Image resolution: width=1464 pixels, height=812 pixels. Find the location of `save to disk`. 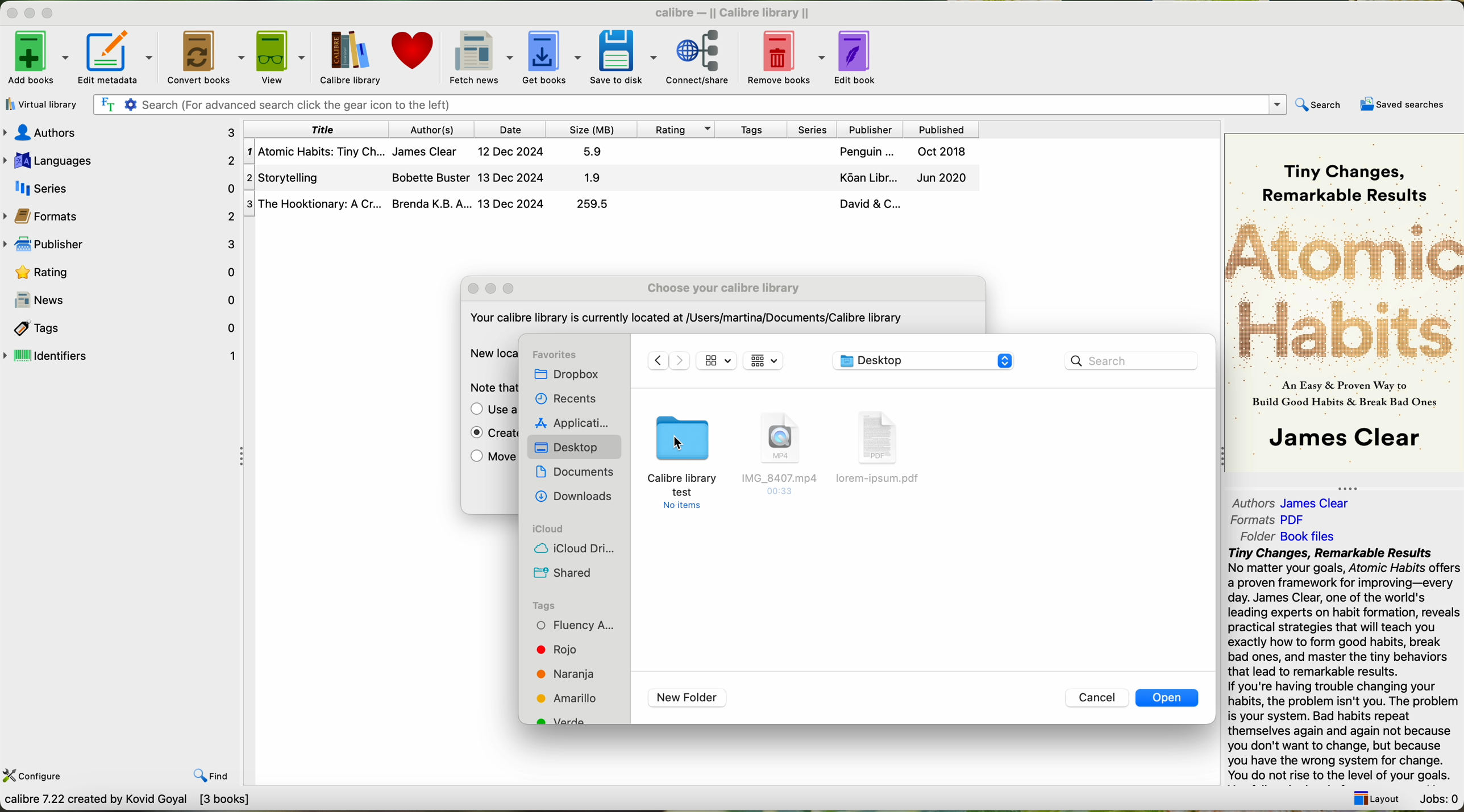

save to disk is located at coordinates (624, 56).